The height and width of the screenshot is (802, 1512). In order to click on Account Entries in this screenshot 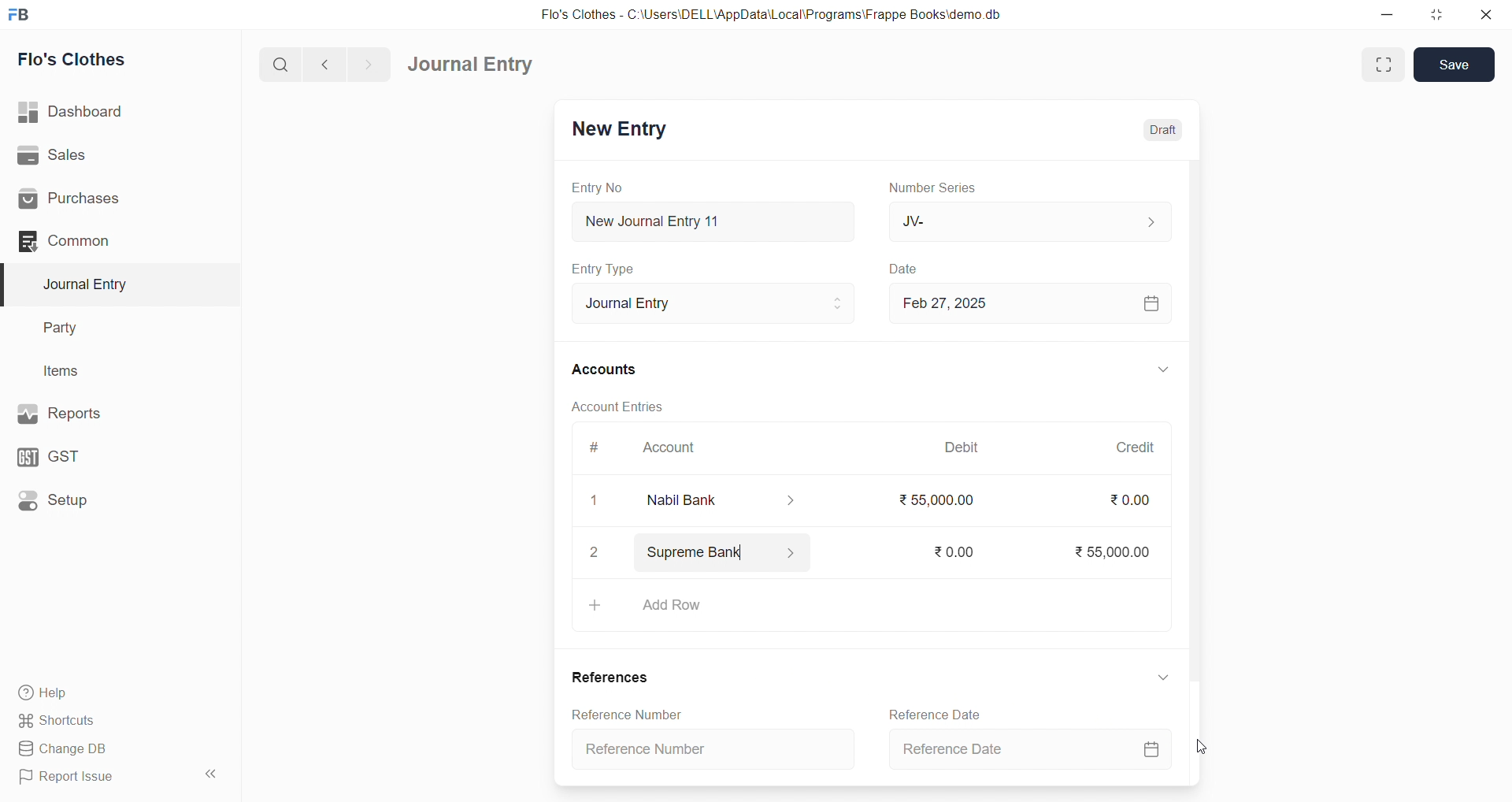, I will do `click(619, 405)`.